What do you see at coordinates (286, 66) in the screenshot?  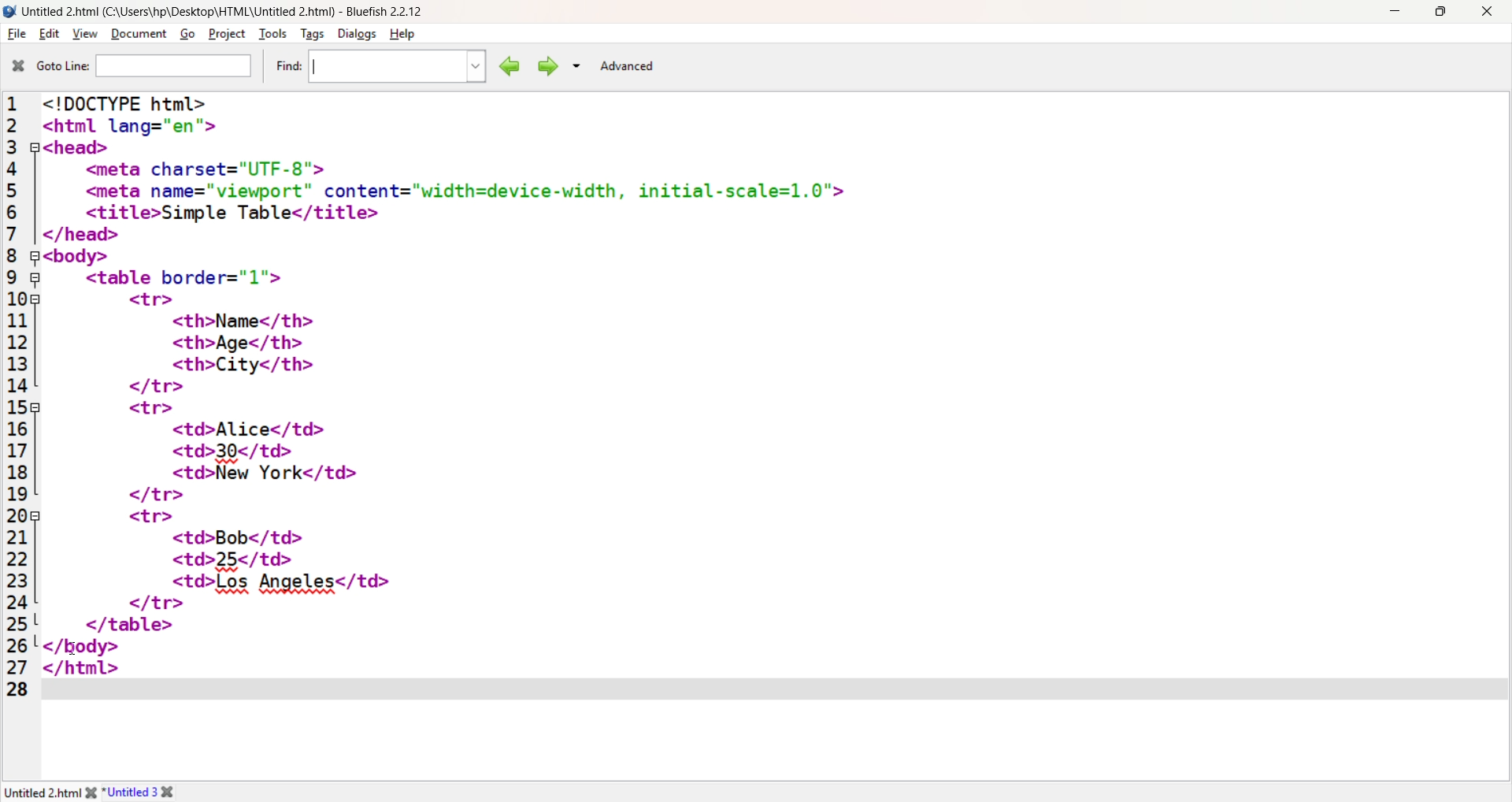 I see `Find:` at bounding box center [286, 66].